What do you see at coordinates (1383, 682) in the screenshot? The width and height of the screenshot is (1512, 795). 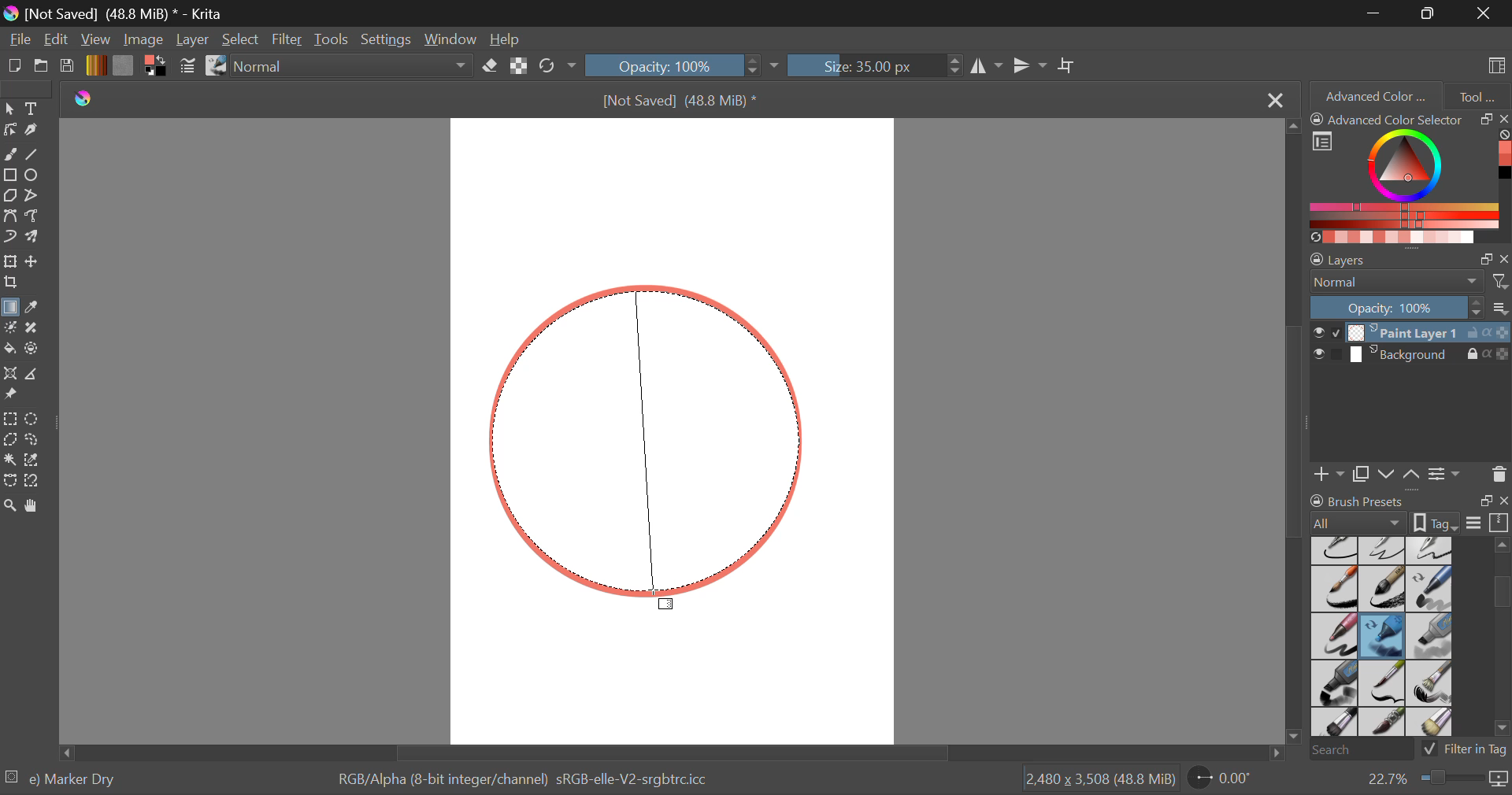 I see `Bristles-1 Details` at bounding box center [1383, 682].